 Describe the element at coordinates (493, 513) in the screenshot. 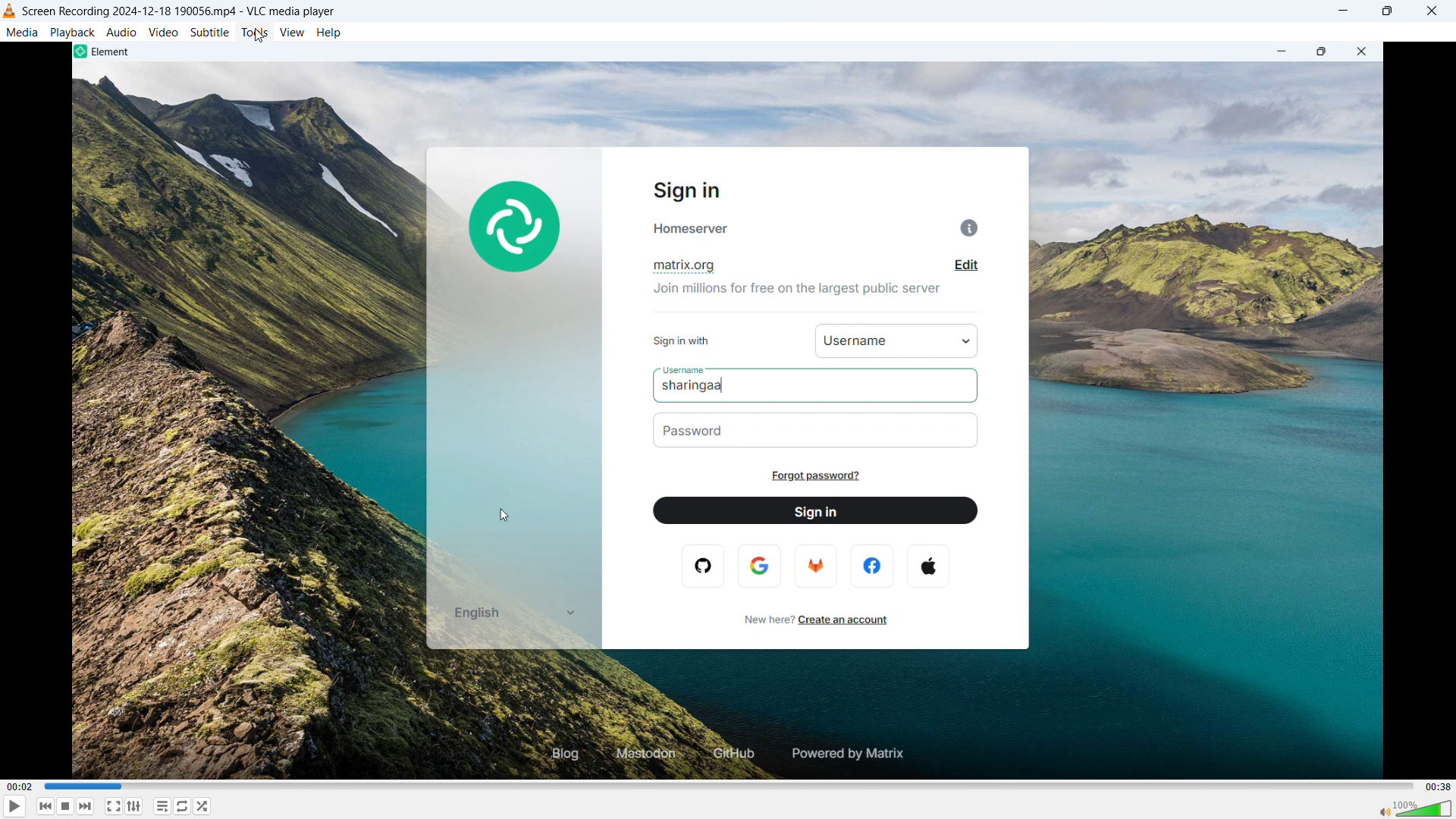

I see `cursor movement` at that location.